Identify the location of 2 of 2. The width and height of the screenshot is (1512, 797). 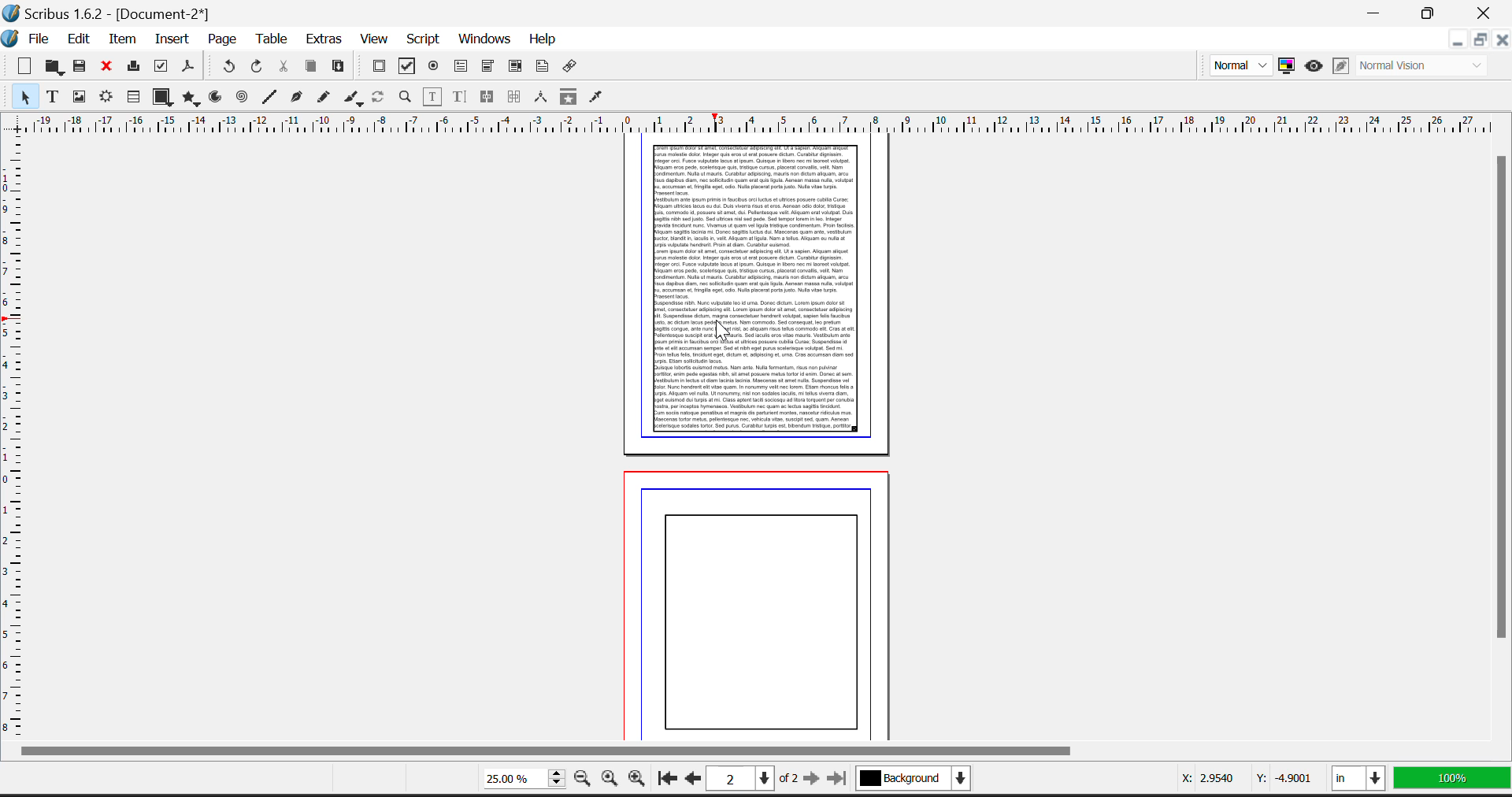
(757, 780).